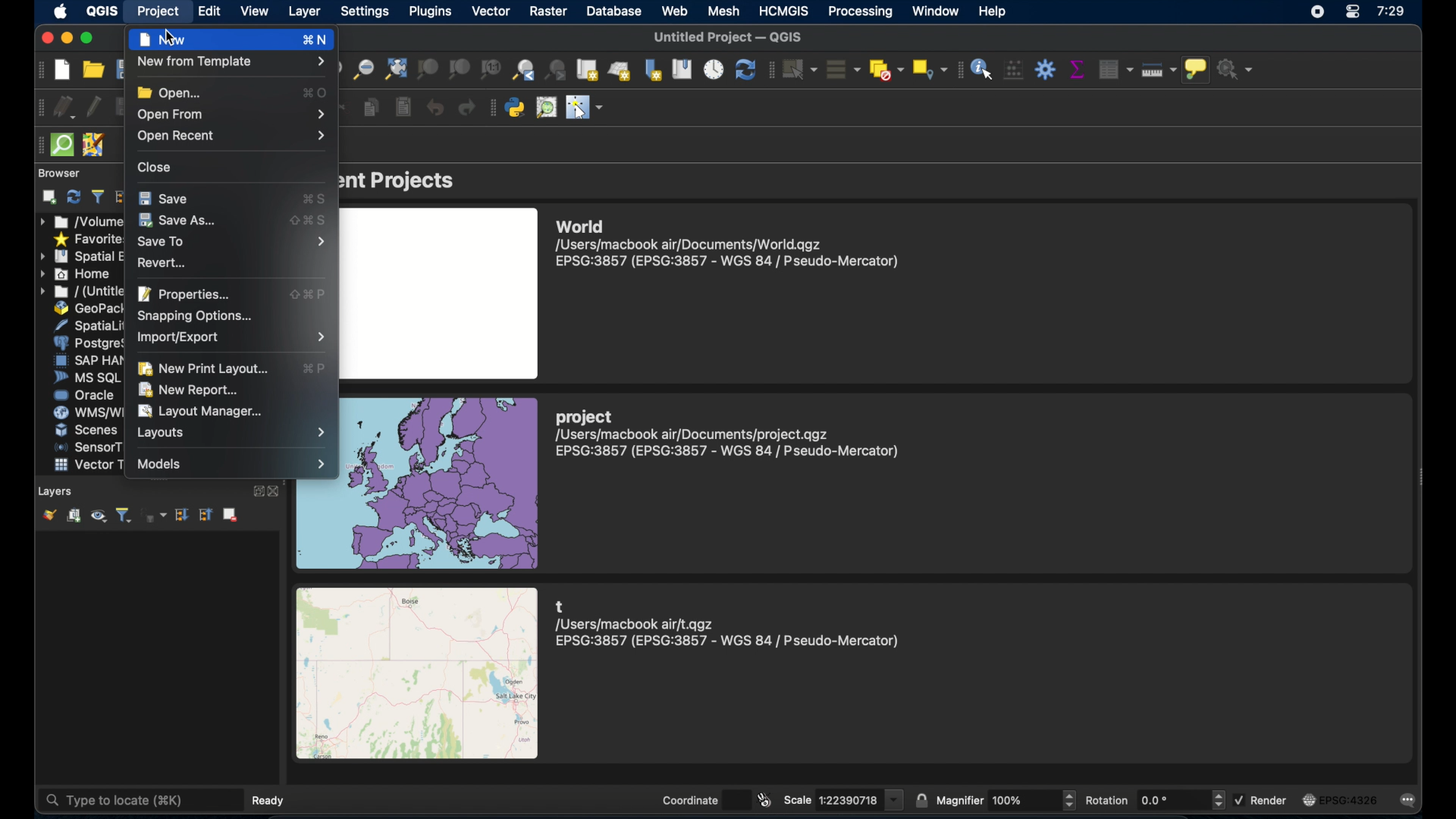  What do you see at coordinates (204, 410) in the screenshot?
I see `layout manager` at bounding box center [204, 410].